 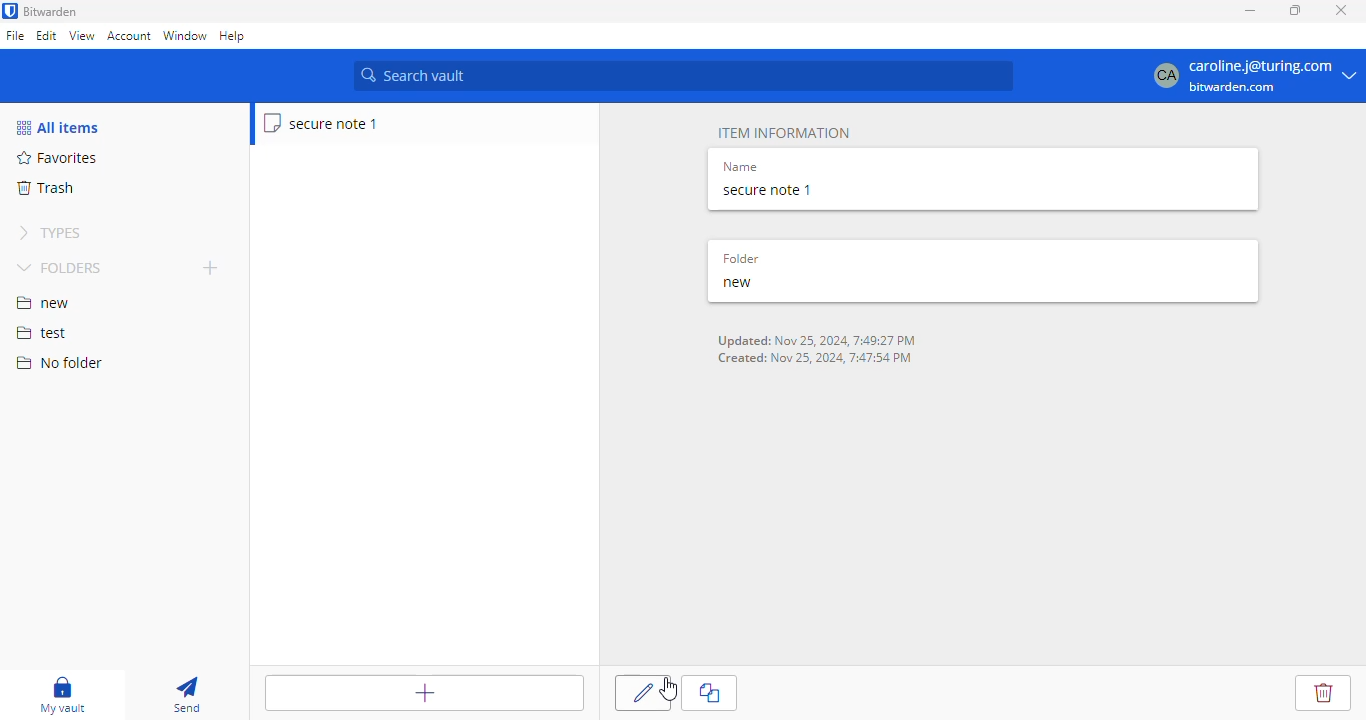 What do you see at coordinates (47, 35) in the screenshot?
I see `edit` at bounding box center [47, 35].